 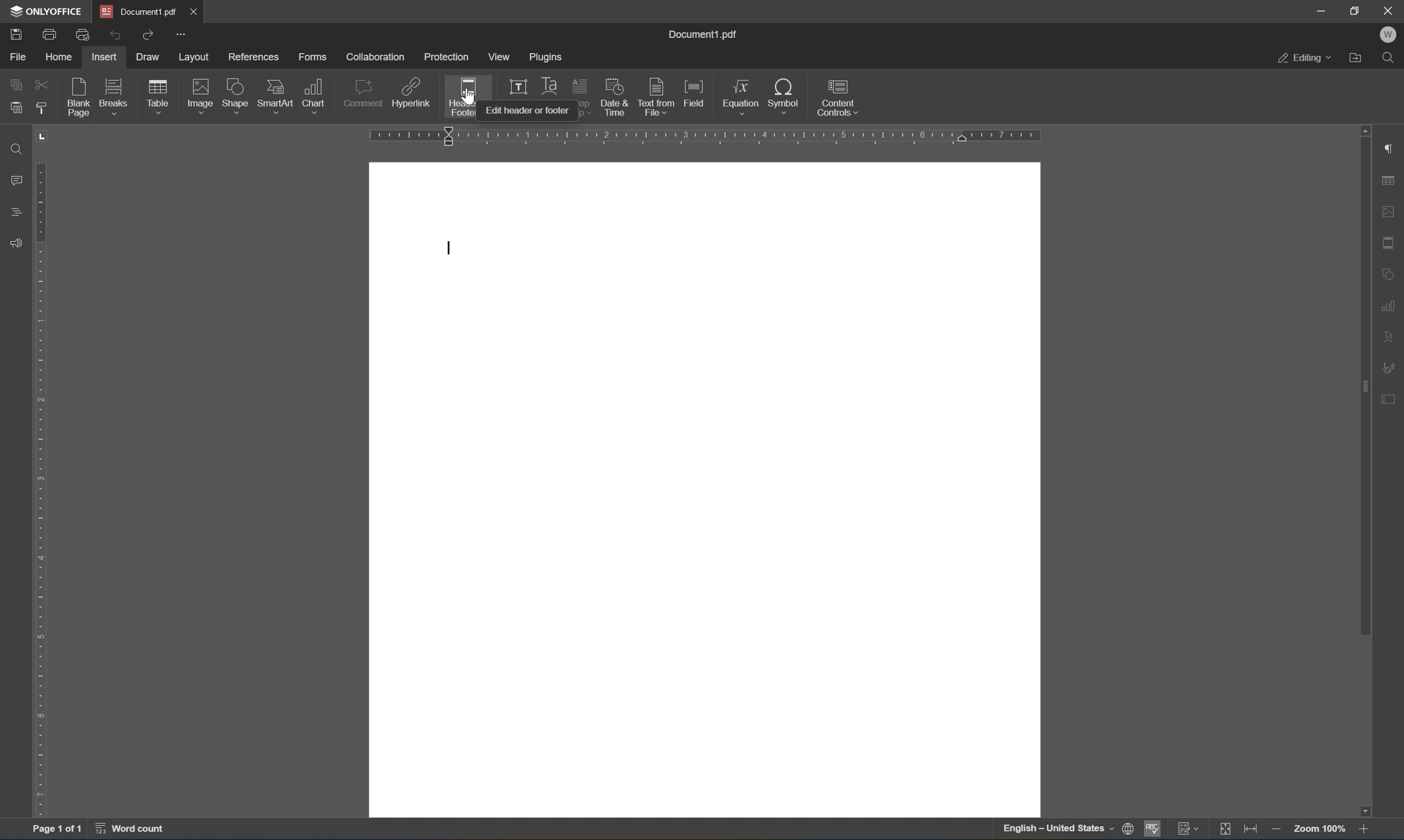 What do you see at coordinates (784, 95) in the screenshot?
I see `symbol` at bounding box center [784, 95].